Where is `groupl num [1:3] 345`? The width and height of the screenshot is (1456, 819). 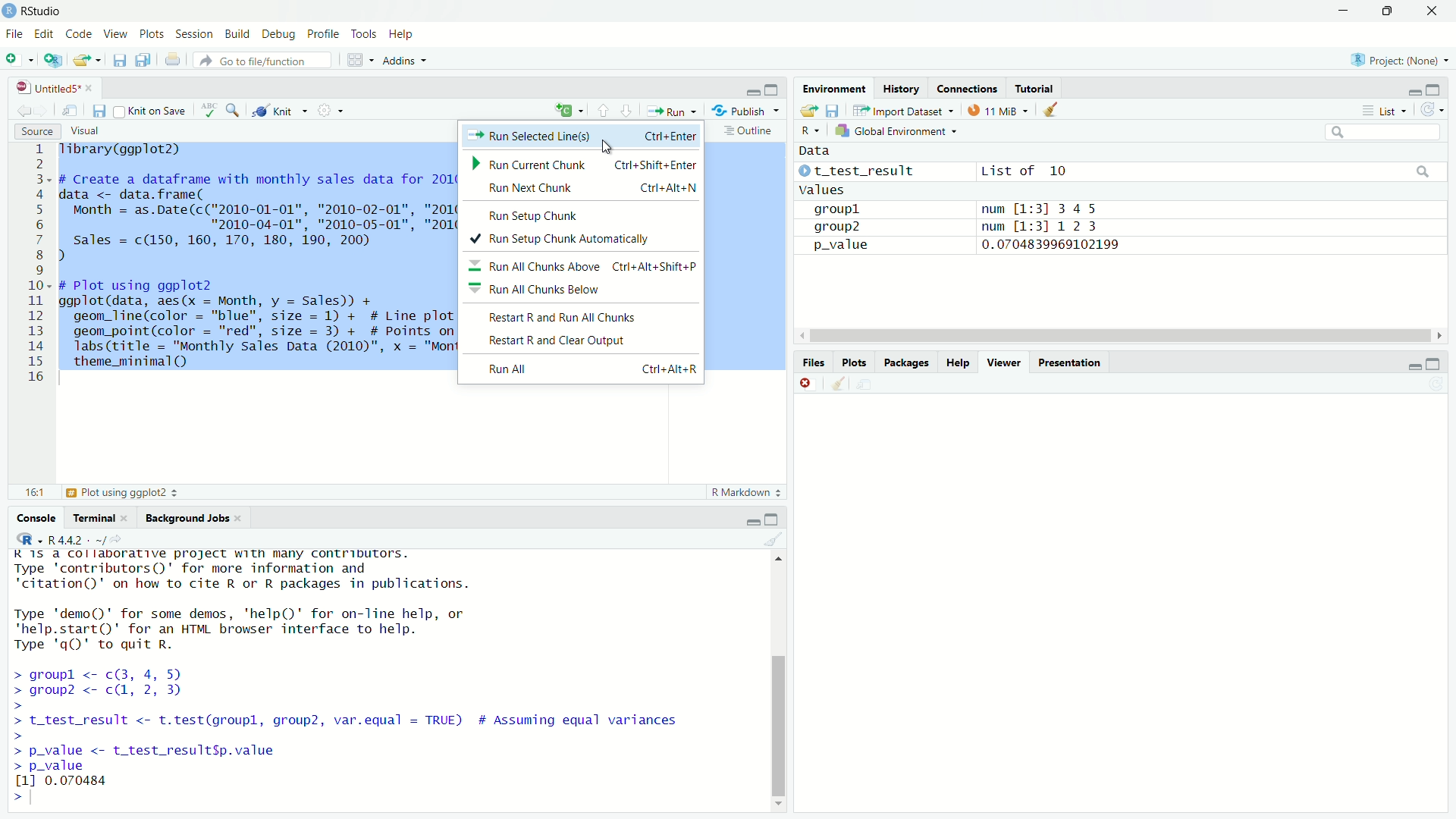 groupl num [1:3] 345 is located at coordinates (952, 210).